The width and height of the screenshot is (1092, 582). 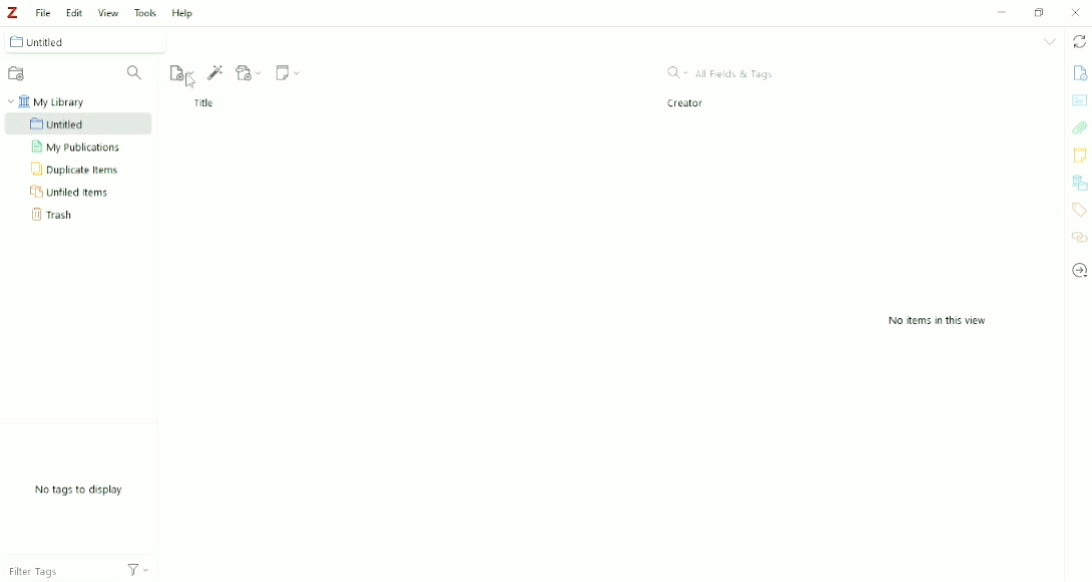 What do you see at coordinates (89, 41) in the screenshot?
I see `Untitled` at bounding box center [89, 41].